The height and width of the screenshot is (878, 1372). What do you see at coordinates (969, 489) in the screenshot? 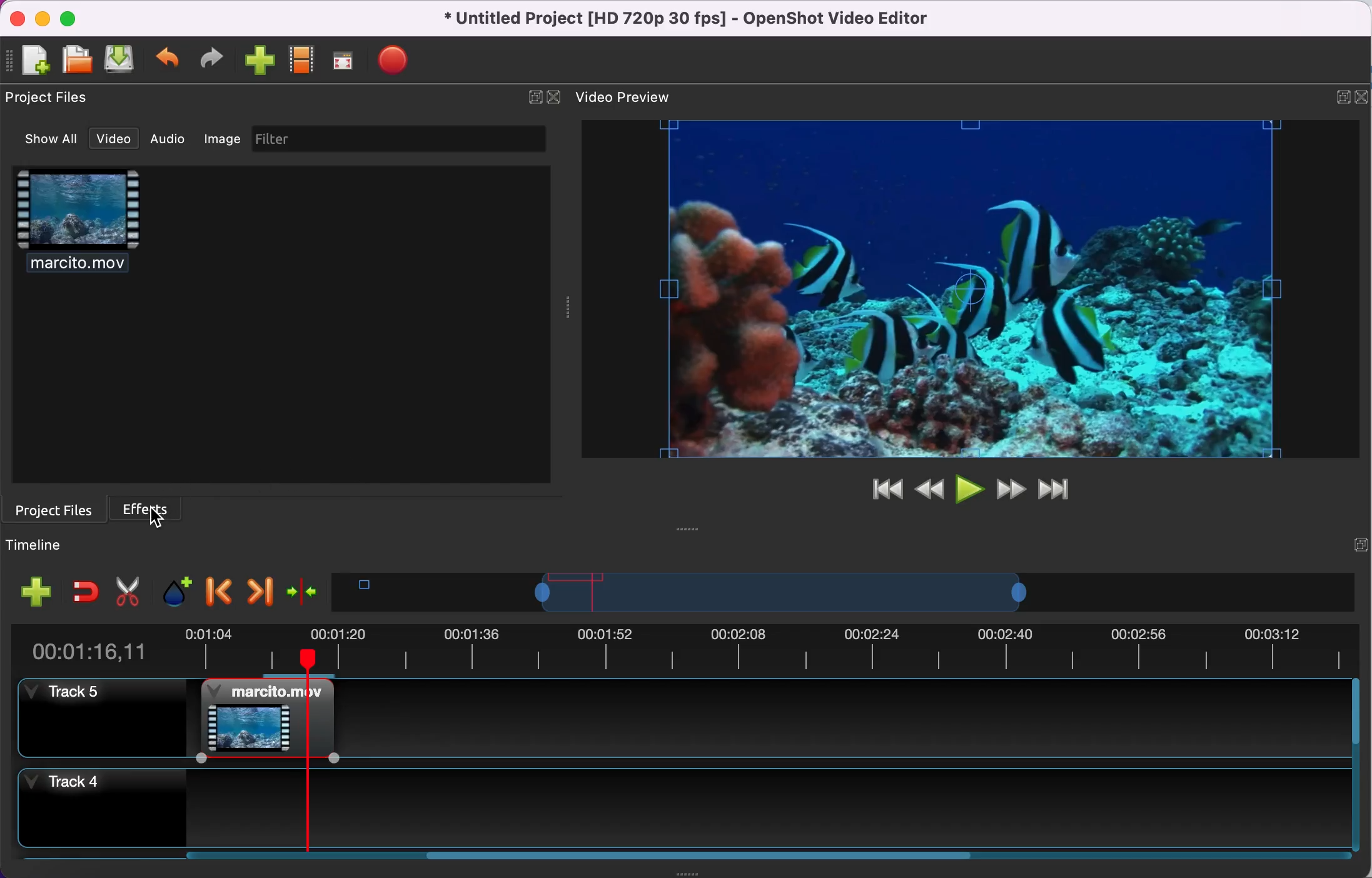
I see `play` at bounding box center [969, 489].